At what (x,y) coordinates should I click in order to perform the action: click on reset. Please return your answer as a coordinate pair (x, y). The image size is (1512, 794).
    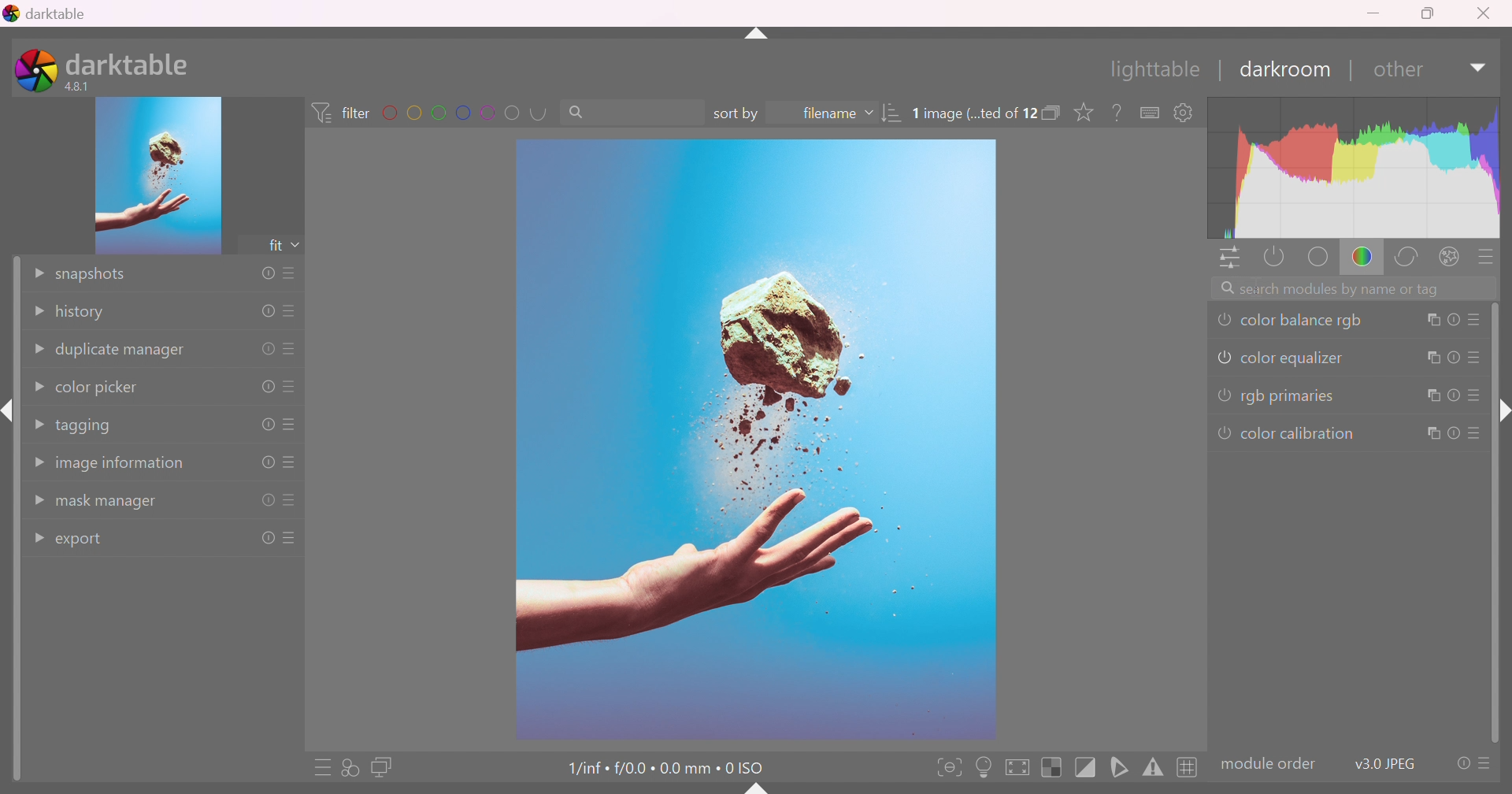
    Looking at the image, I should click on (1455, 434).